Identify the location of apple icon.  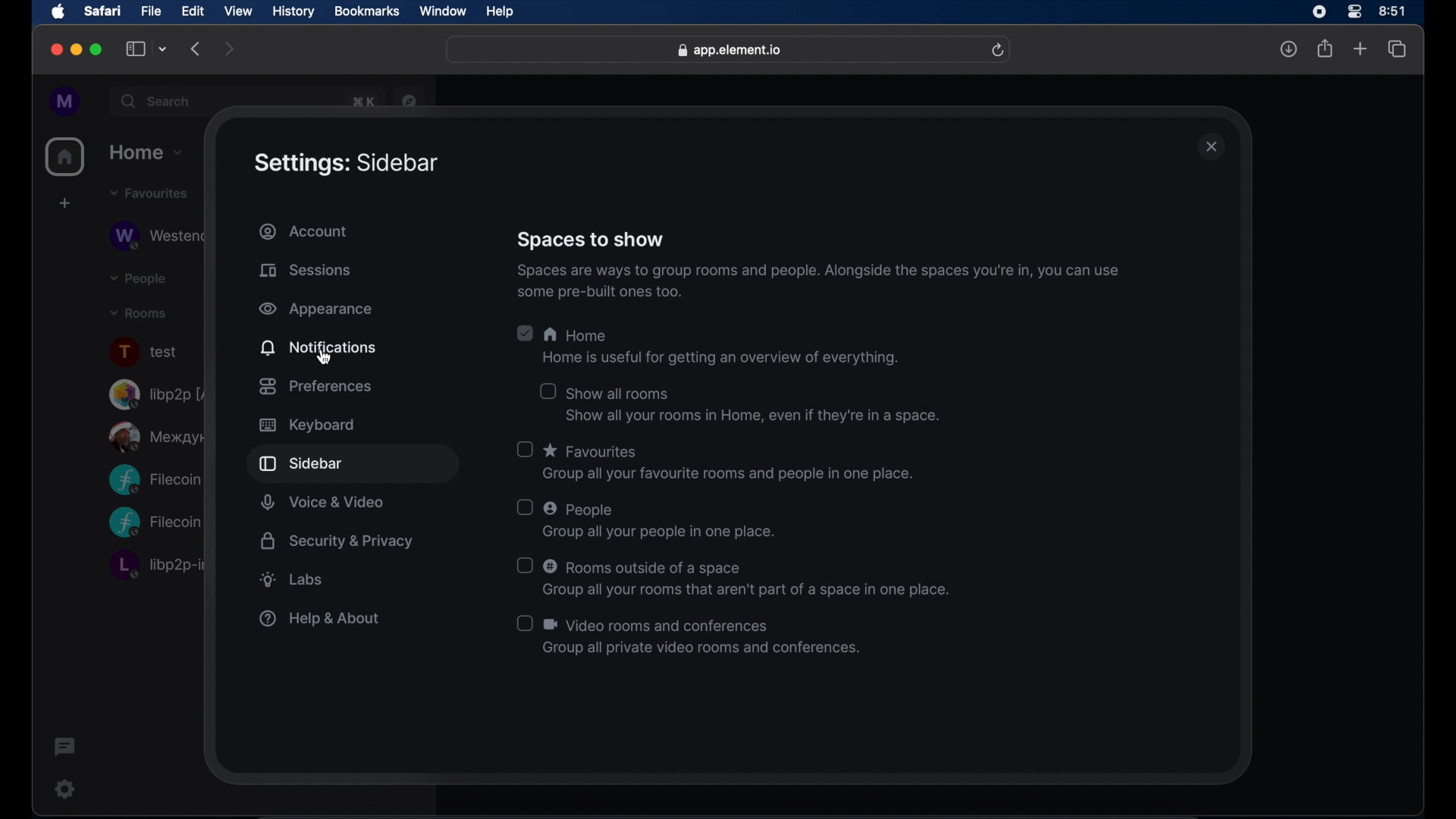
(58, 12).